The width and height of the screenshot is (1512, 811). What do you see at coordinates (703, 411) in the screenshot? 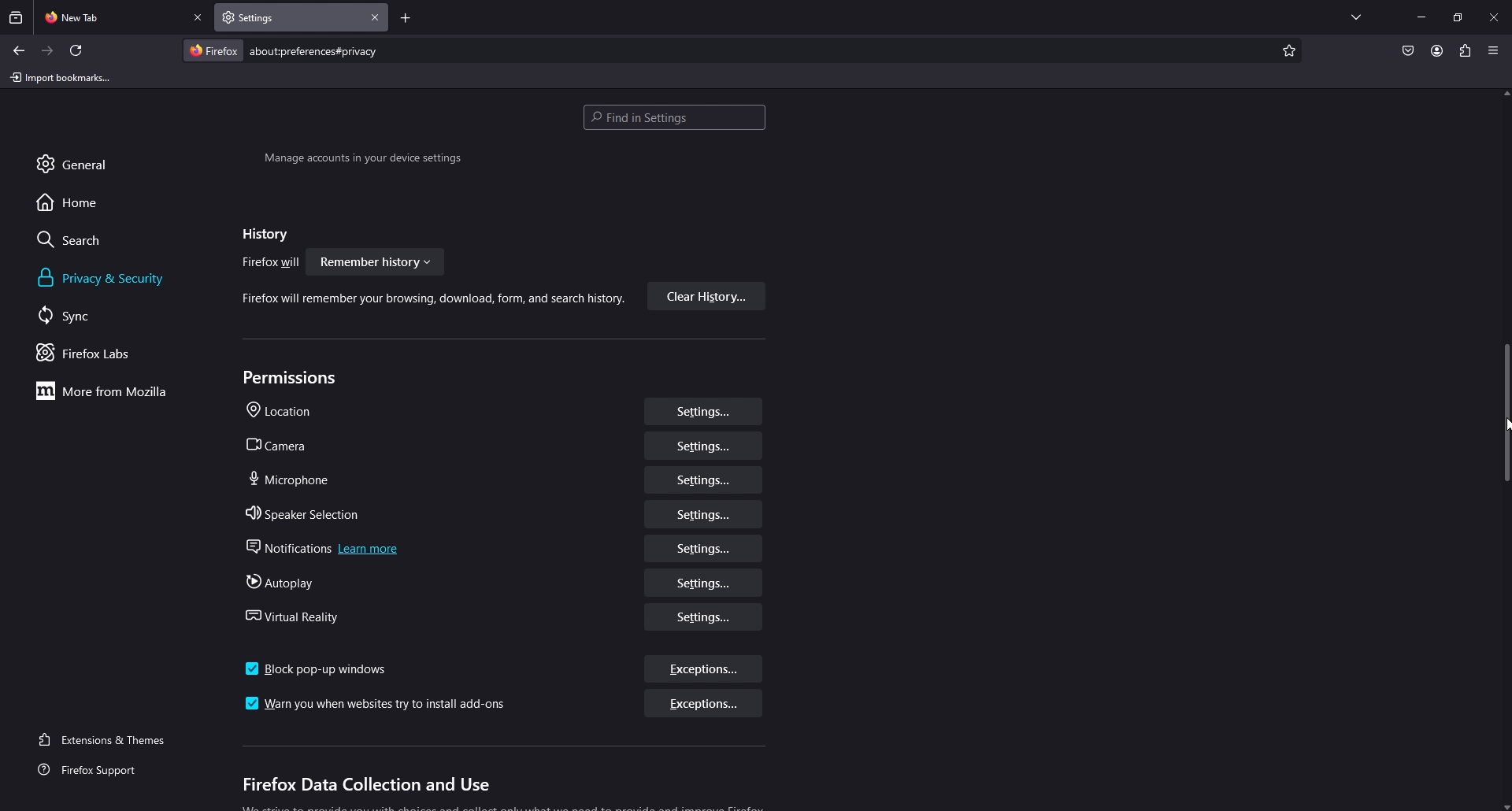
I see `settings` at bounding box center [703, 411].